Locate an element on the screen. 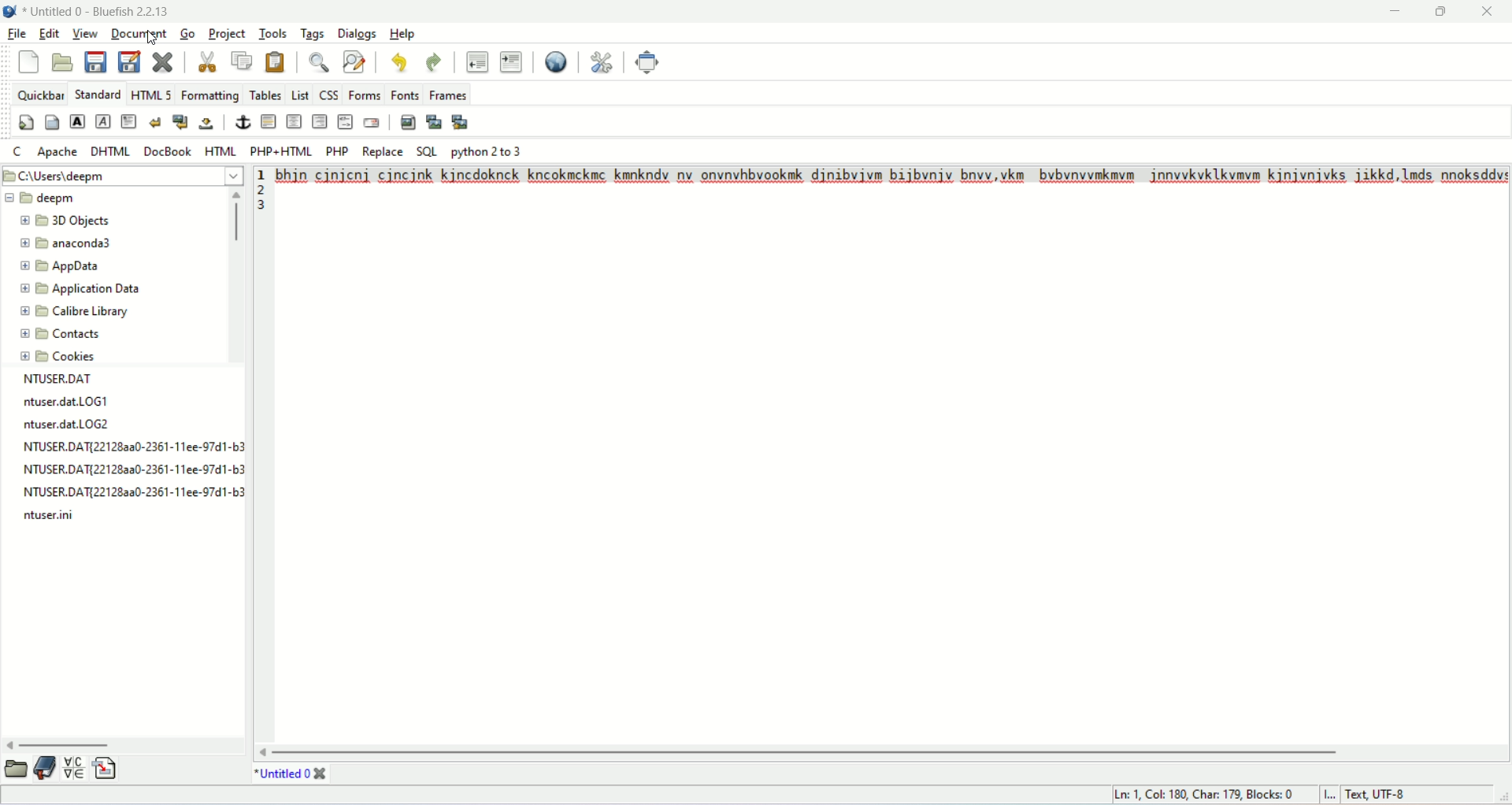 The height and width of the screenshot is (805, 1512). browse in web is located at coordinates (554, 62).